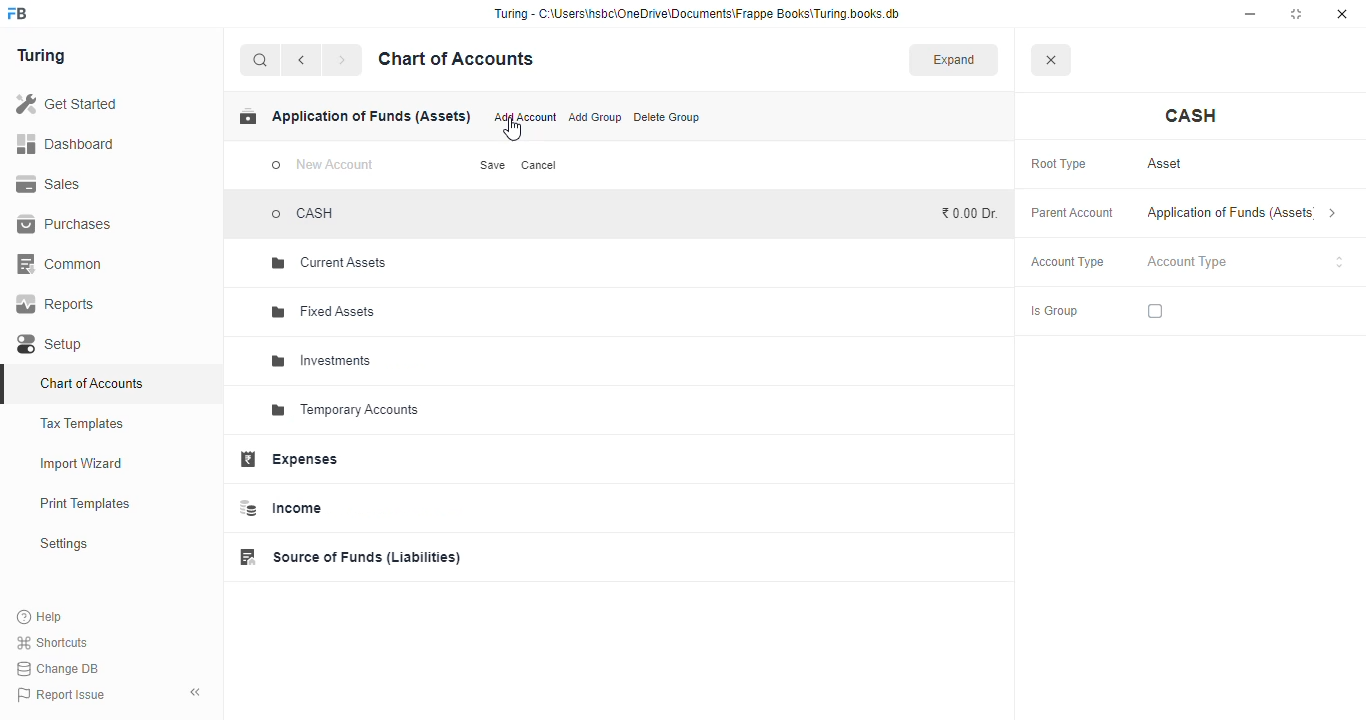  Describe the element at coordinates (696, 13) in the screenshot. I see `“Turing - C:\Users\hsbc\OneDrive\Documents\Frappe Books\Turing books.db` at that location.